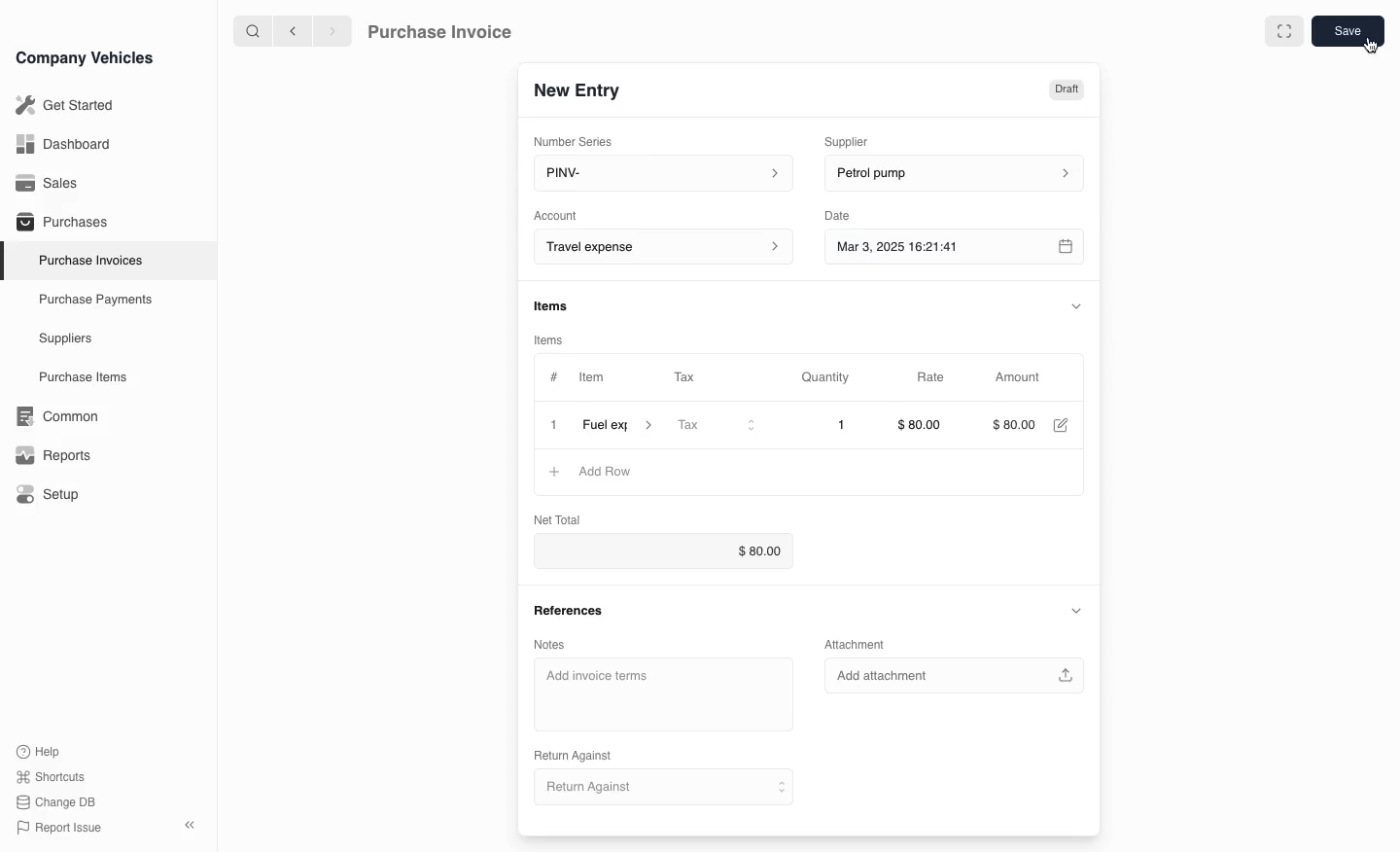  Describe the element at coordinates (53, 455) in the screenshot. I see `Reports` at that location.